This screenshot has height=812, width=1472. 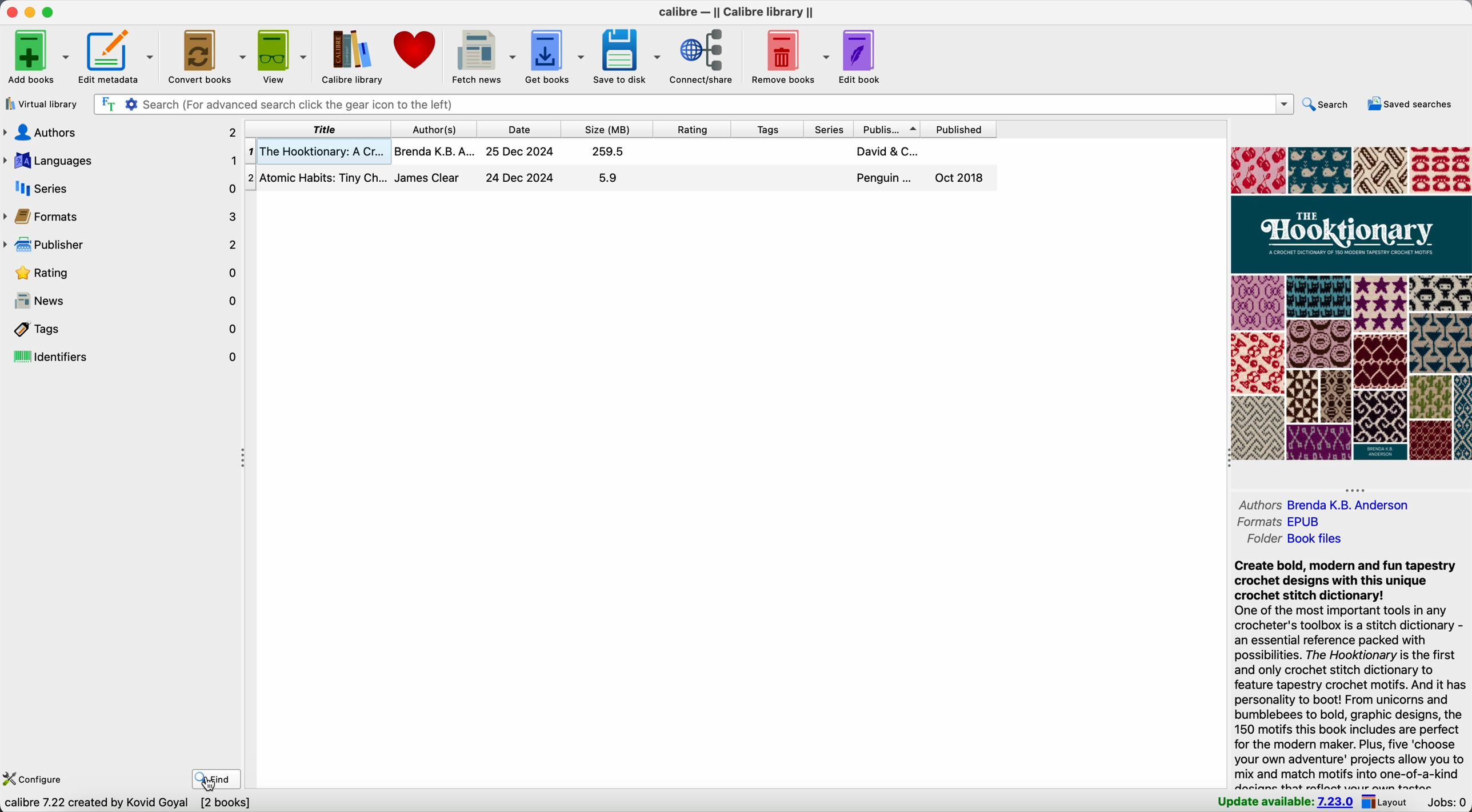 What do you see at coordinates (133, 805) in the screenshot?
I see `data` at bounding box center [133, 805].